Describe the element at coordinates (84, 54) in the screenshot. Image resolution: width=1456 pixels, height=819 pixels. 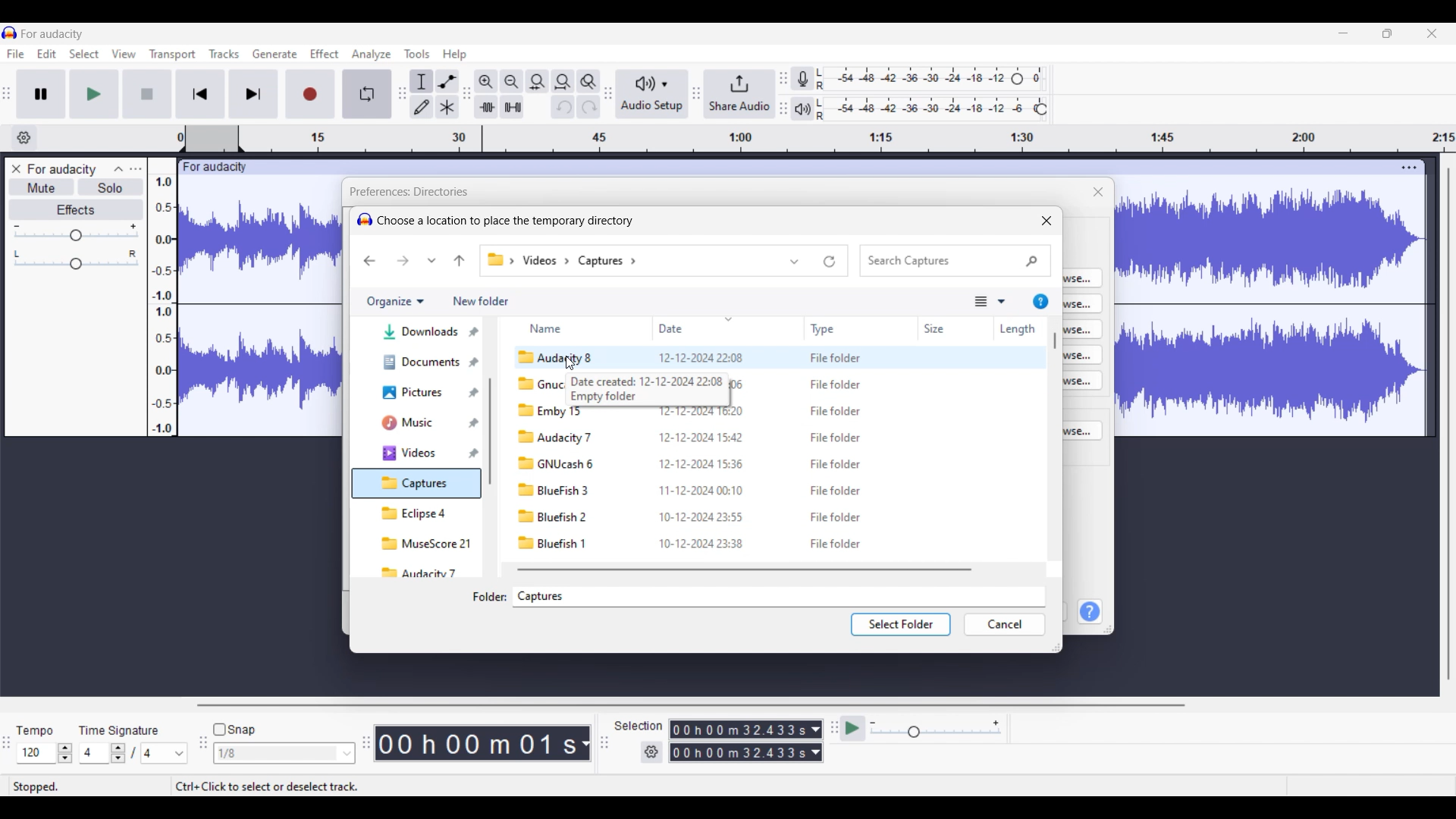
I see `Select menu` at that location.